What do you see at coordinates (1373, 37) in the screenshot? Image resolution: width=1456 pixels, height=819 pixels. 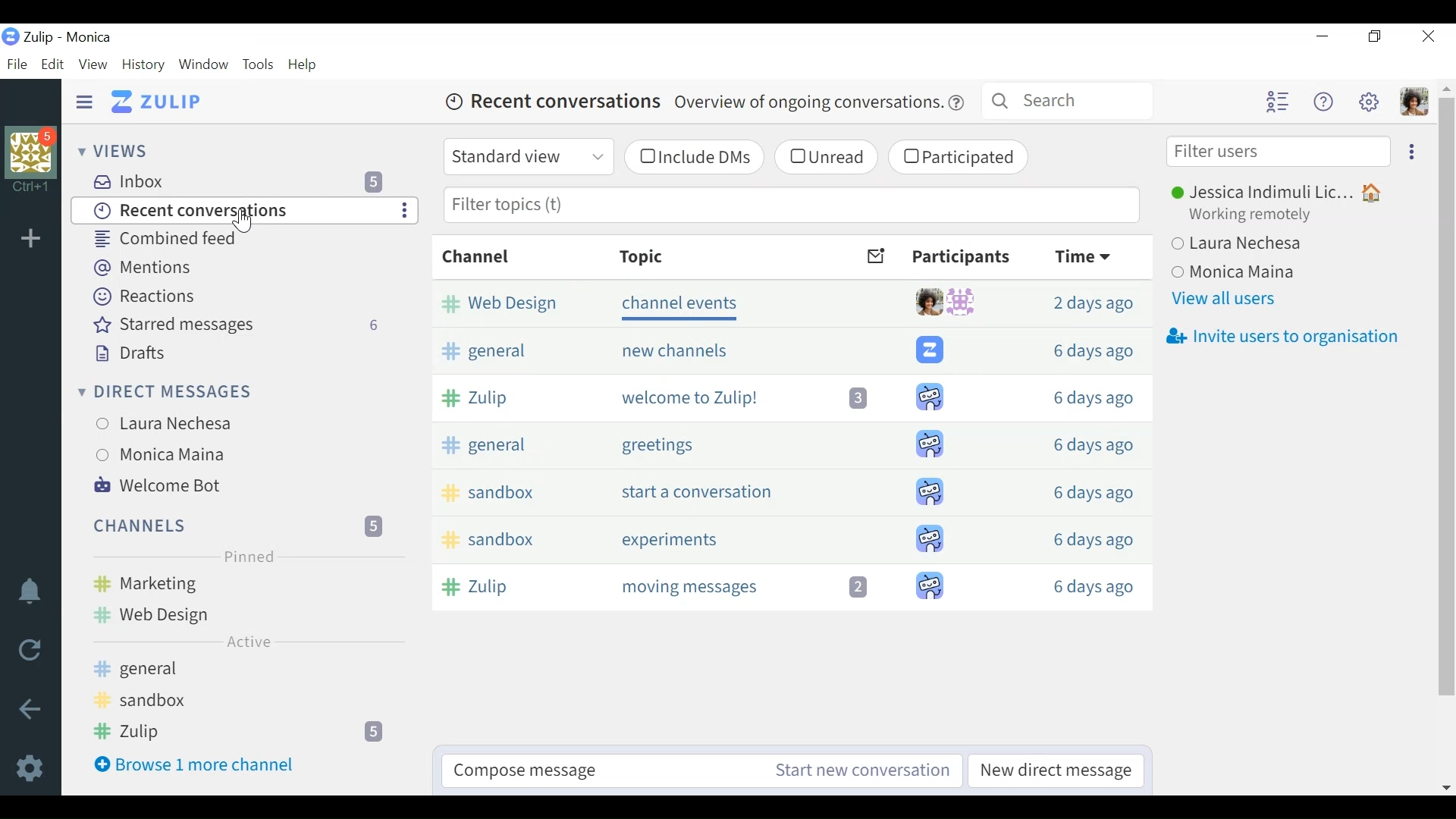 I see `Restore` at bounding box center [1373, 37].